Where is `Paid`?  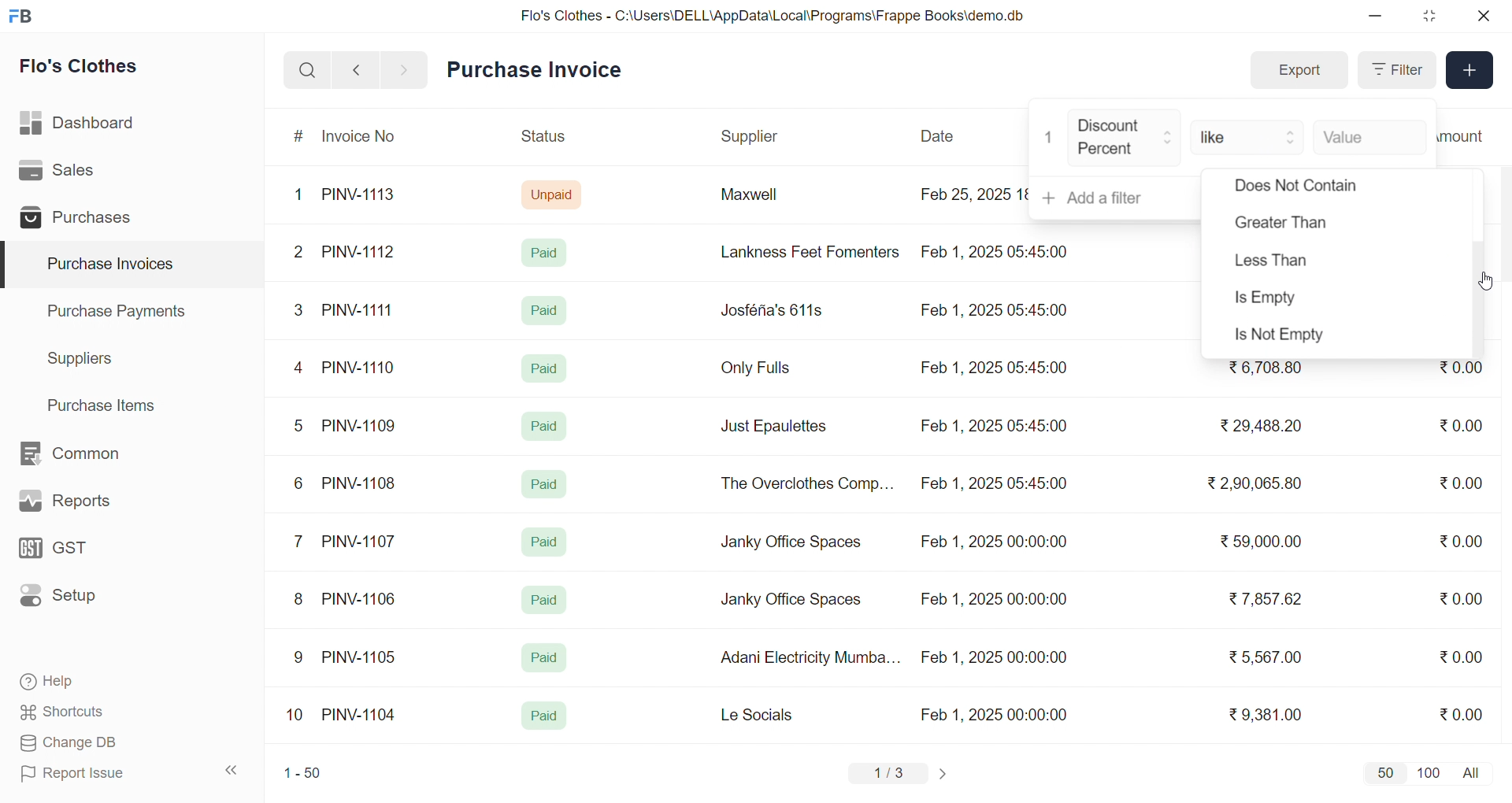
Paid is located at coordinates (543, 658).